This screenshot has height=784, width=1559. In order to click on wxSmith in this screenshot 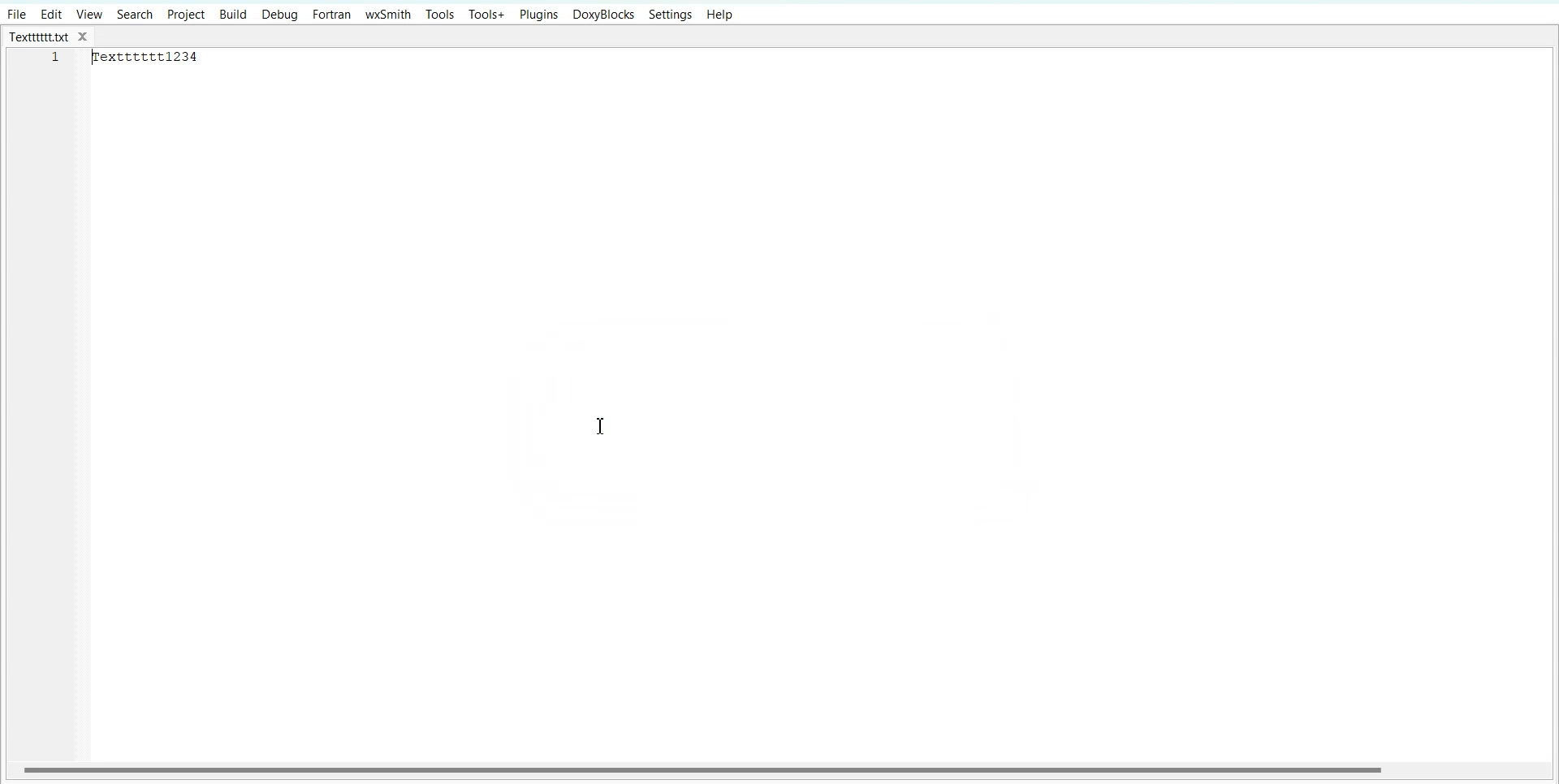, I will do `click(389, 14)`.